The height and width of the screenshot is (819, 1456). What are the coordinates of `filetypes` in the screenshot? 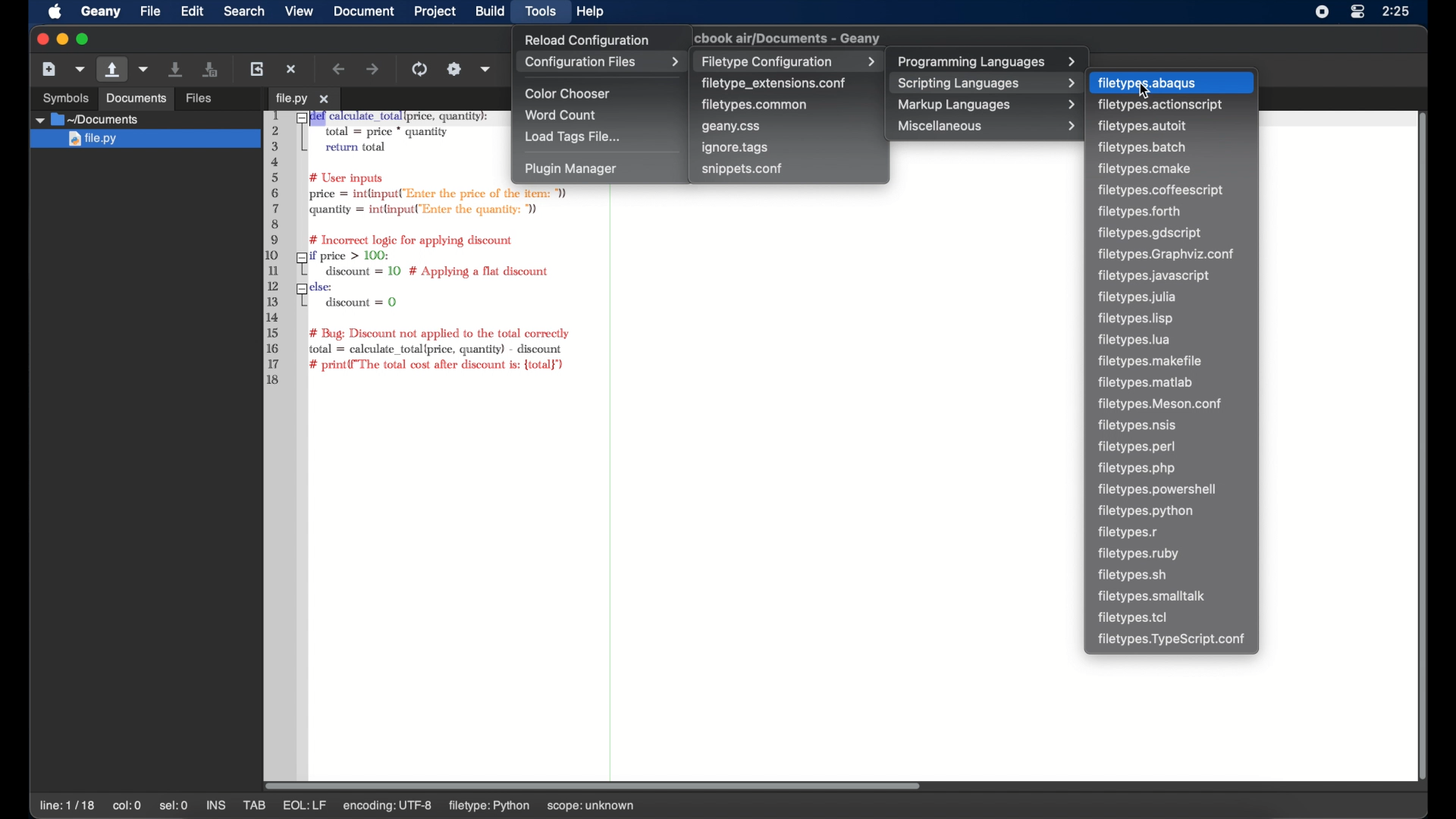 It's located at (1133, 617).